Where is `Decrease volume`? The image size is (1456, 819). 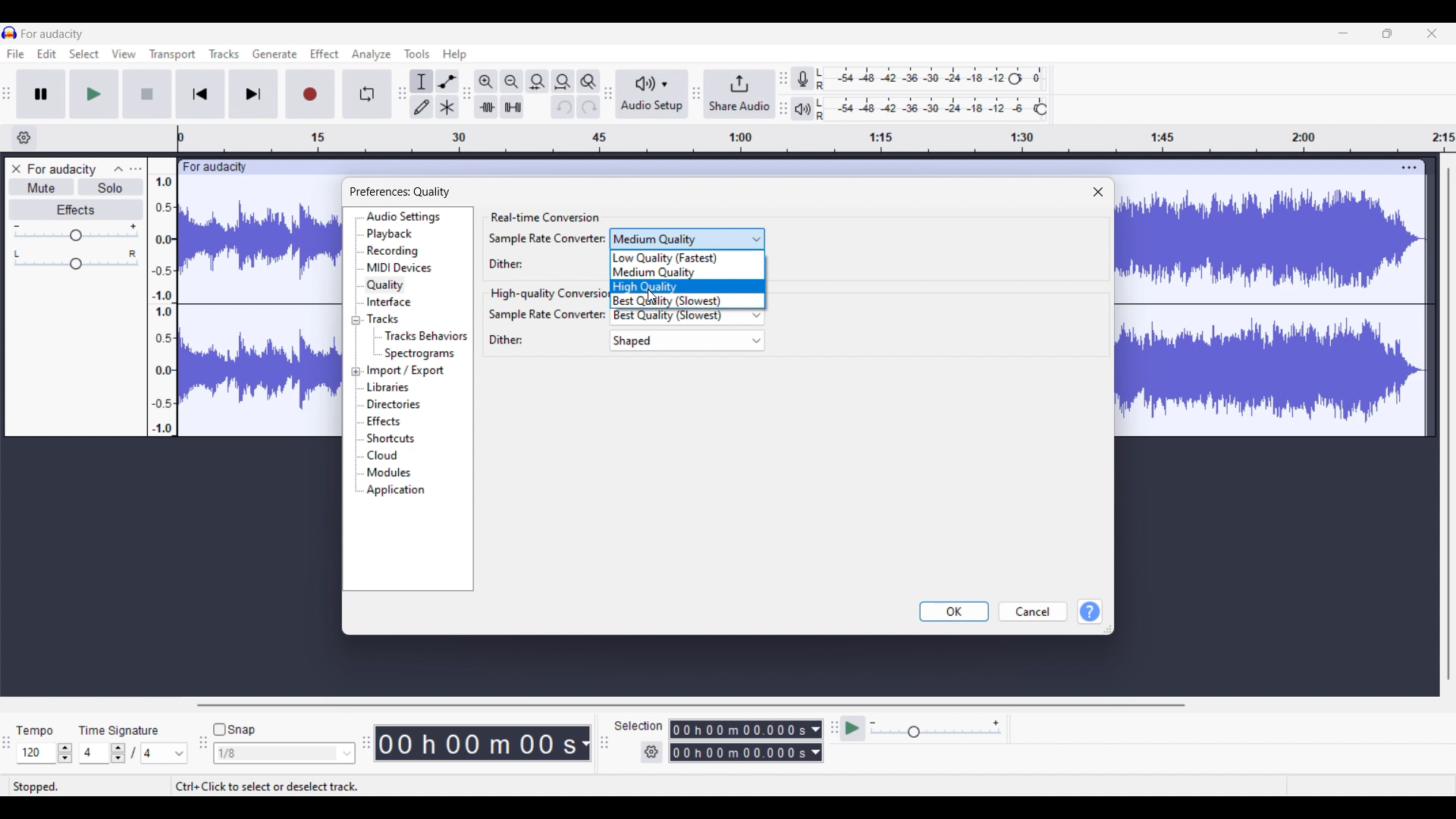
Decrease volume is located at coordinates (16, 227).